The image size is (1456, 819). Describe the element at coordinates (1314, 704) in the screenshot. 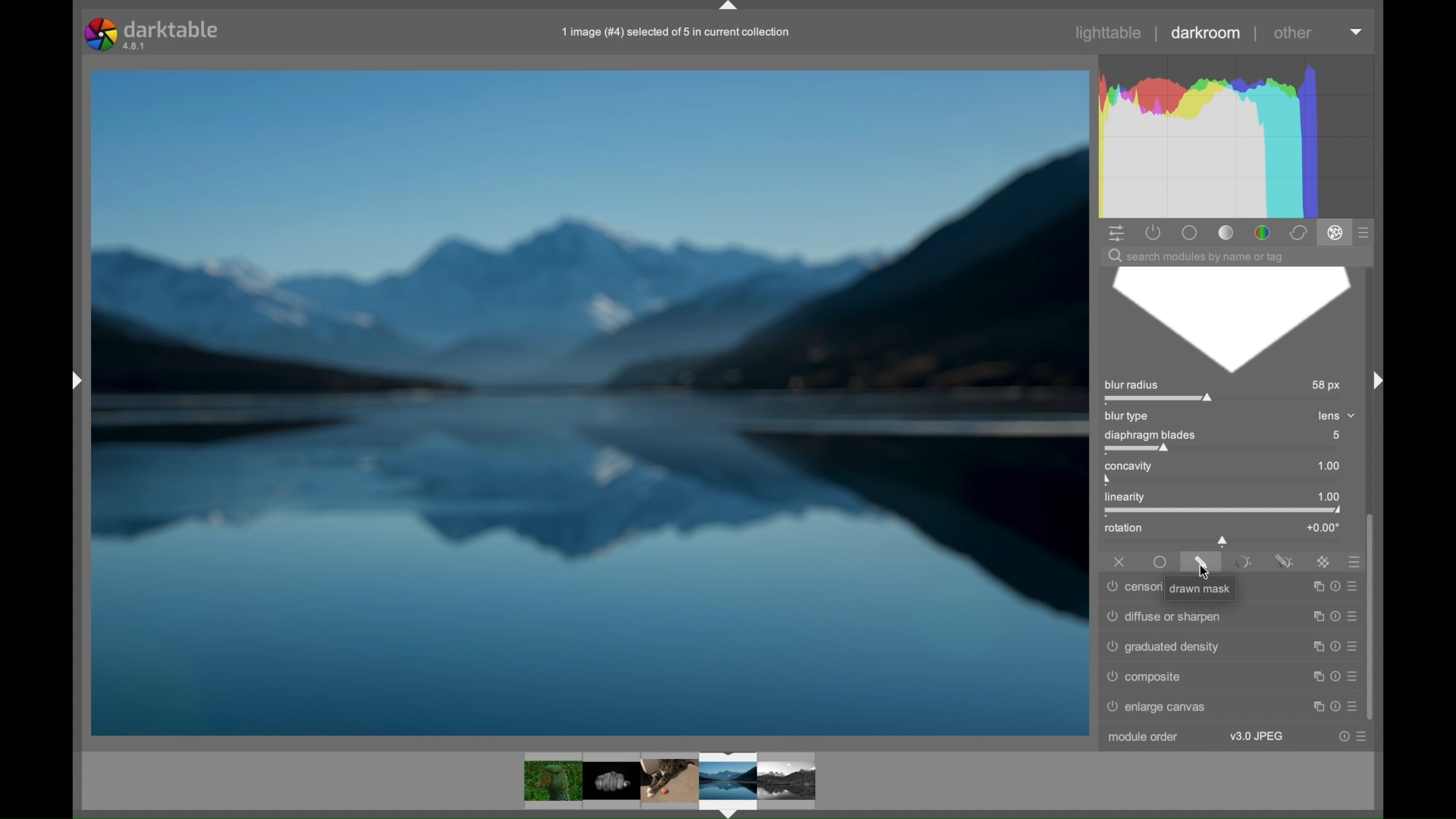

I see `maximize` at that location.